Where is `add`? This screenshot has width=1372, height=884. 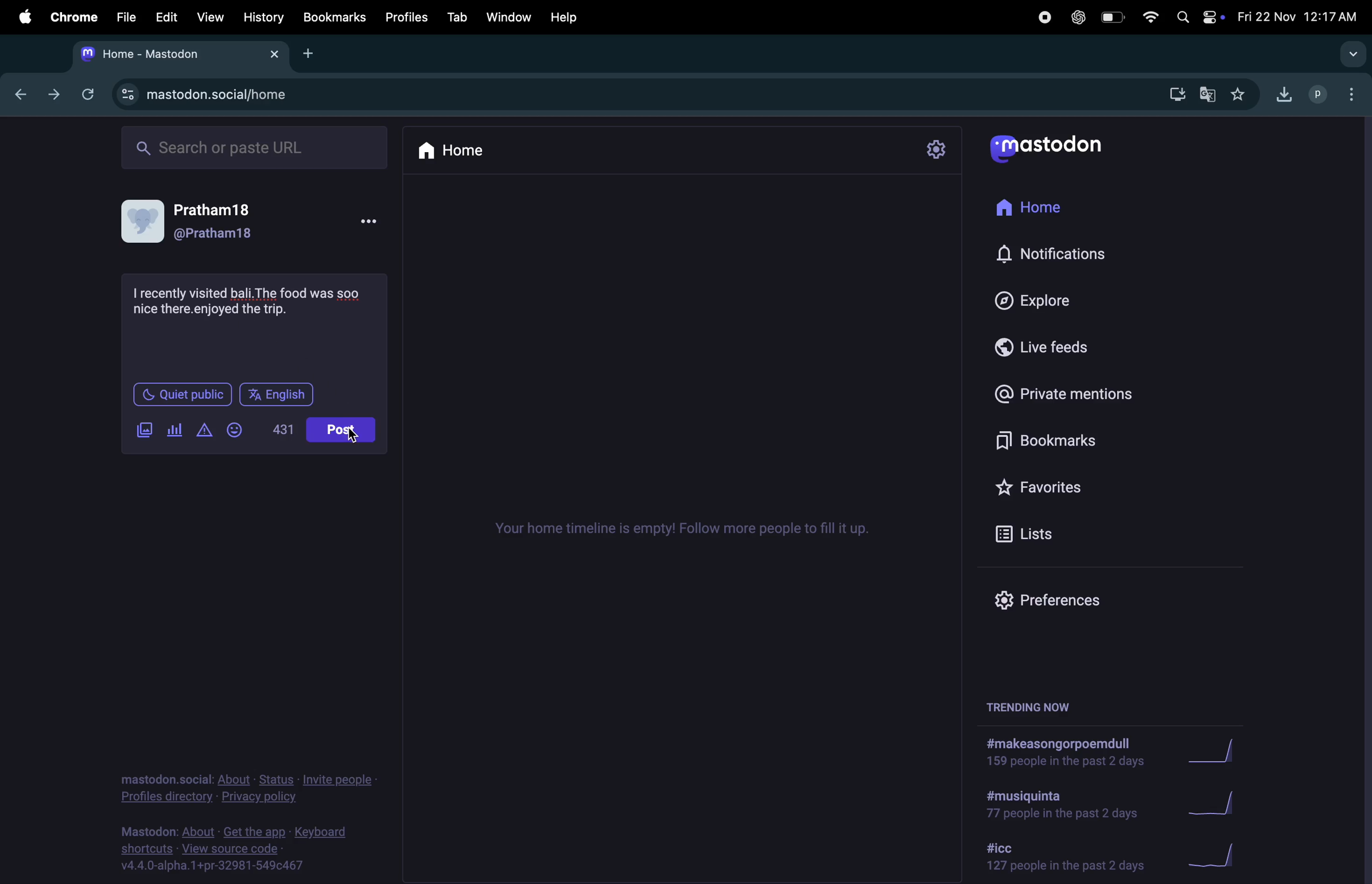
add is located at coordinates (308, 55).